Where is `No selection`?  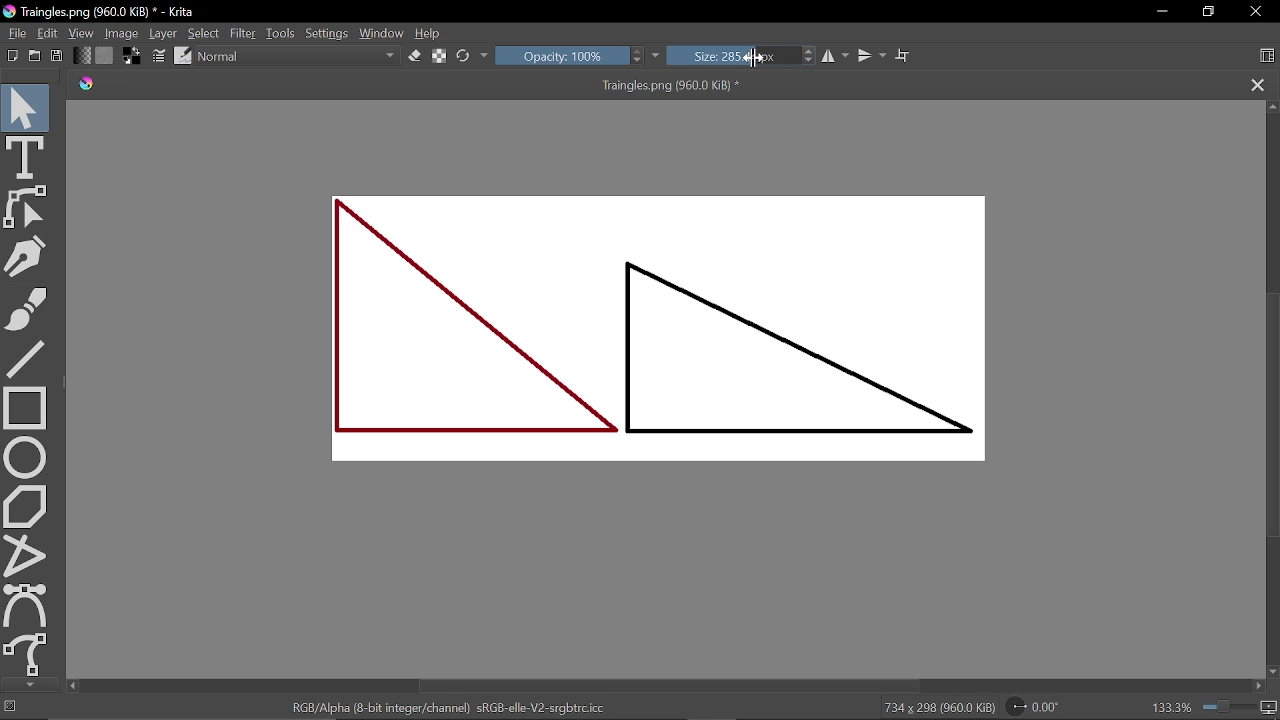
No selection is located at coordinates (12, 708).